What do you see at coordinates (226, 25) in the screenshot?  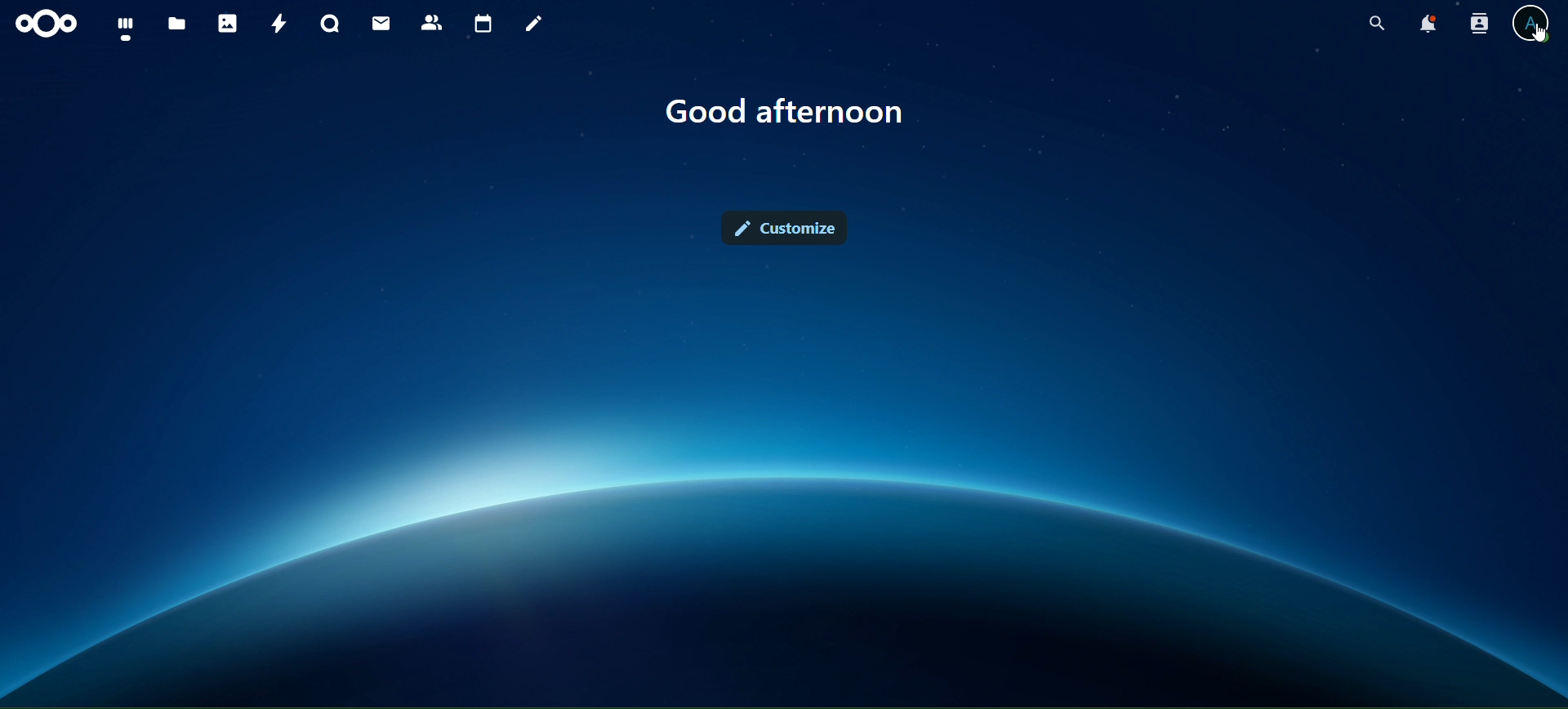 I see `photos` at bounding box center [226, 25].